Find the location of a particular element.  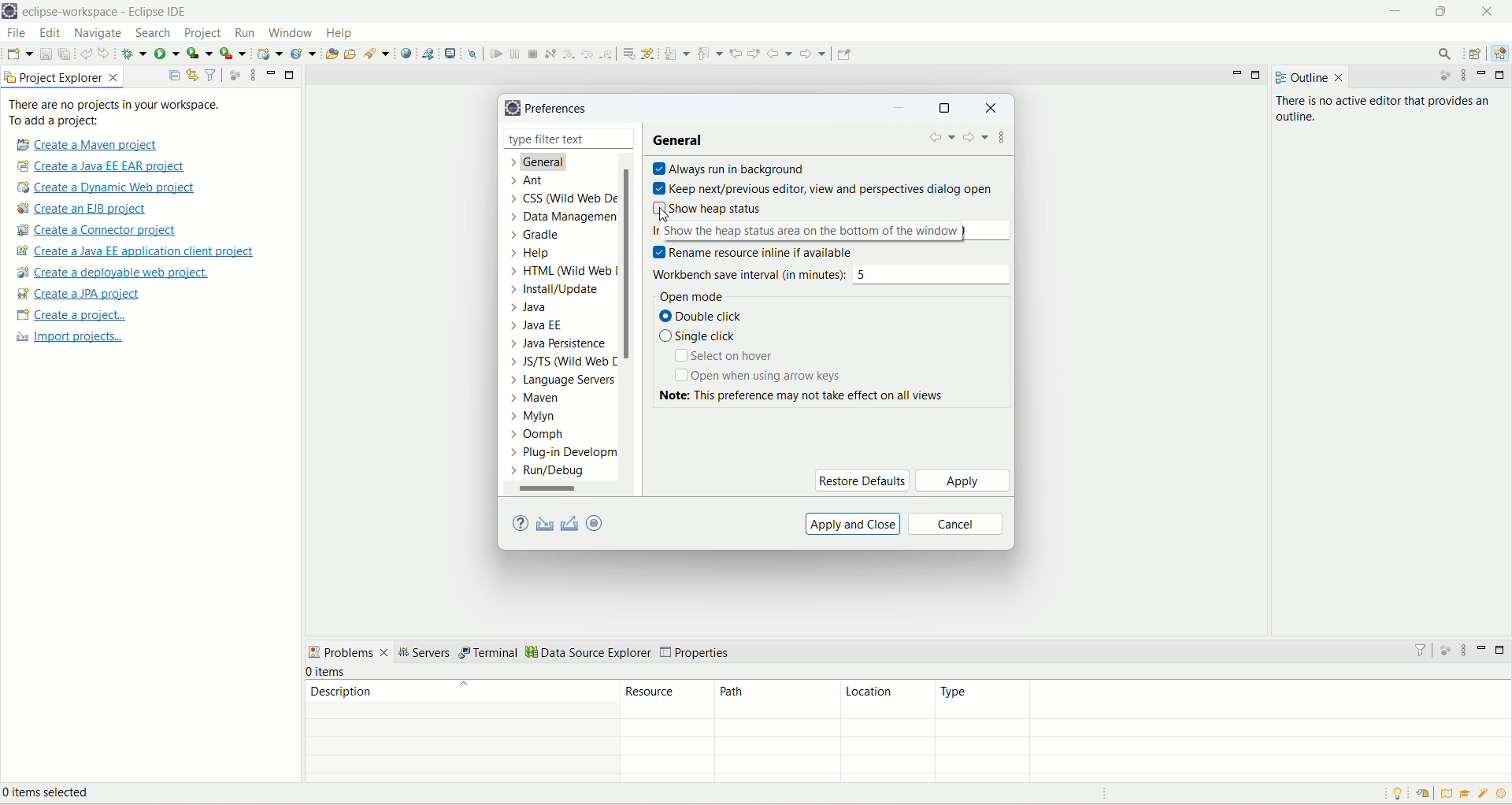

navigate is located at coordinates (101, 34).